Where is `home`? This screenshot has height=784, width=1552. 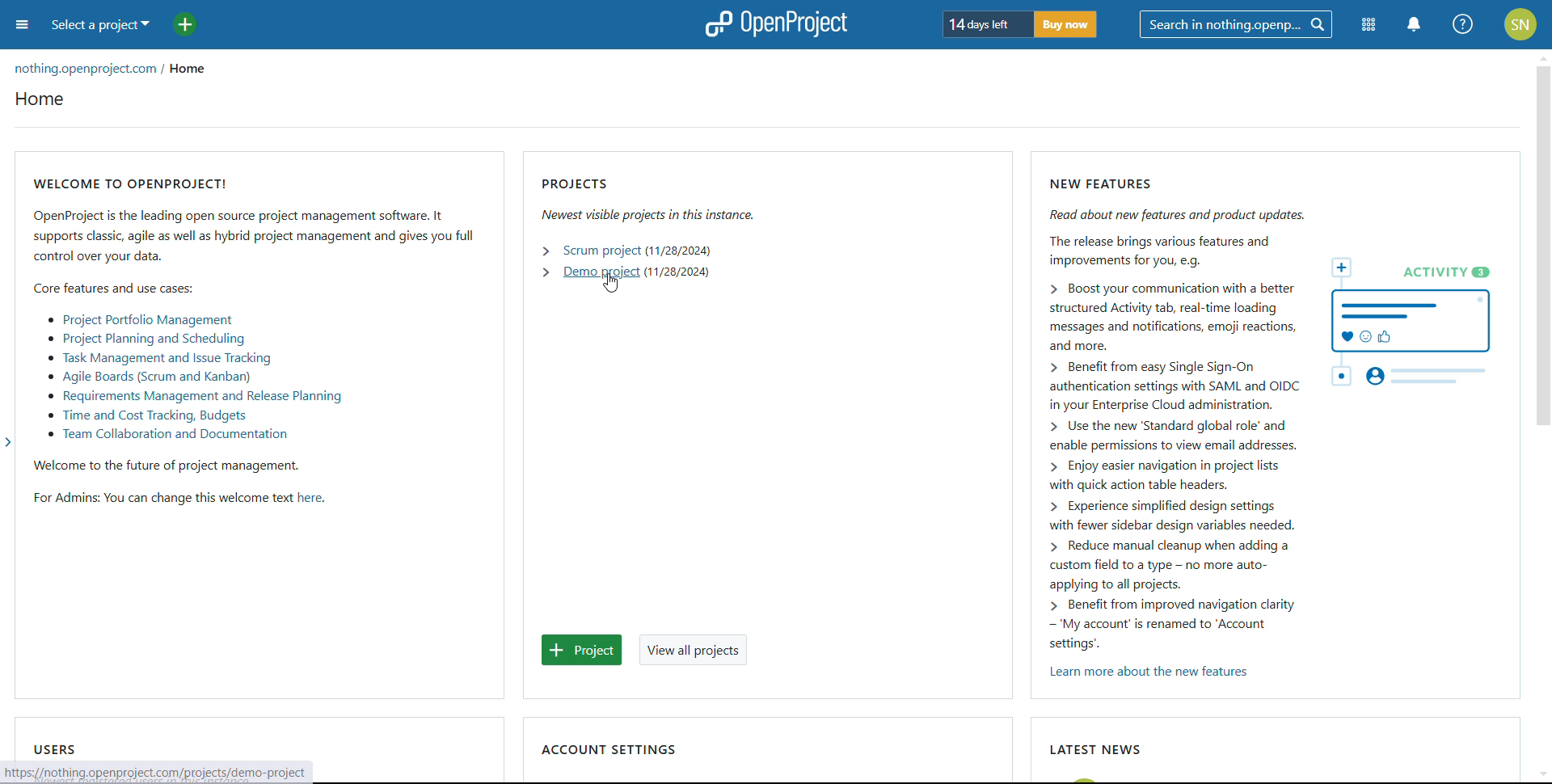 home is located at coordinates (40, 99).